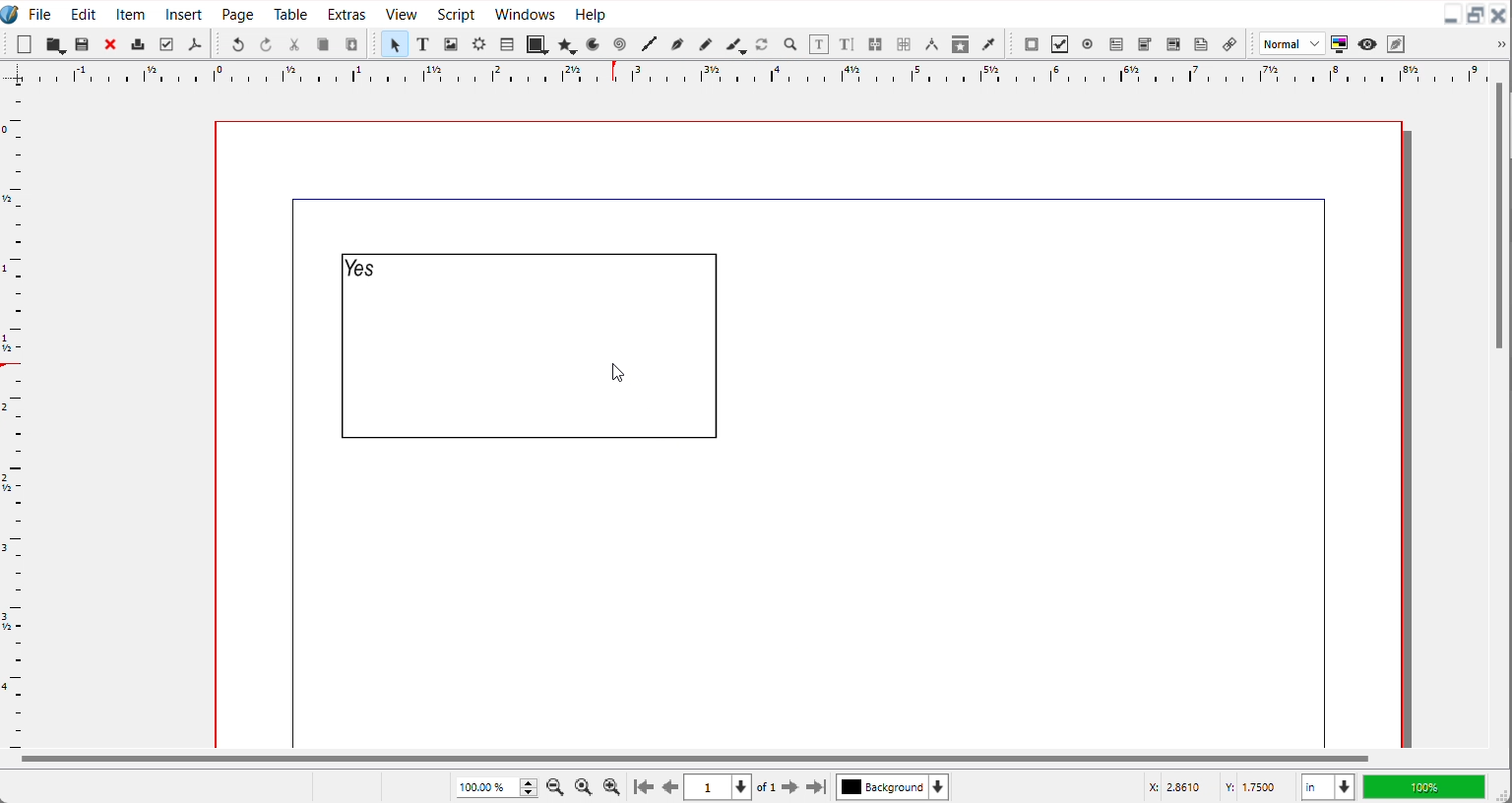 The width and height of the screenshot is (1512, 803). Describe the element at coordinates (132, 14) in the screenshot. I see `Item` at that location.